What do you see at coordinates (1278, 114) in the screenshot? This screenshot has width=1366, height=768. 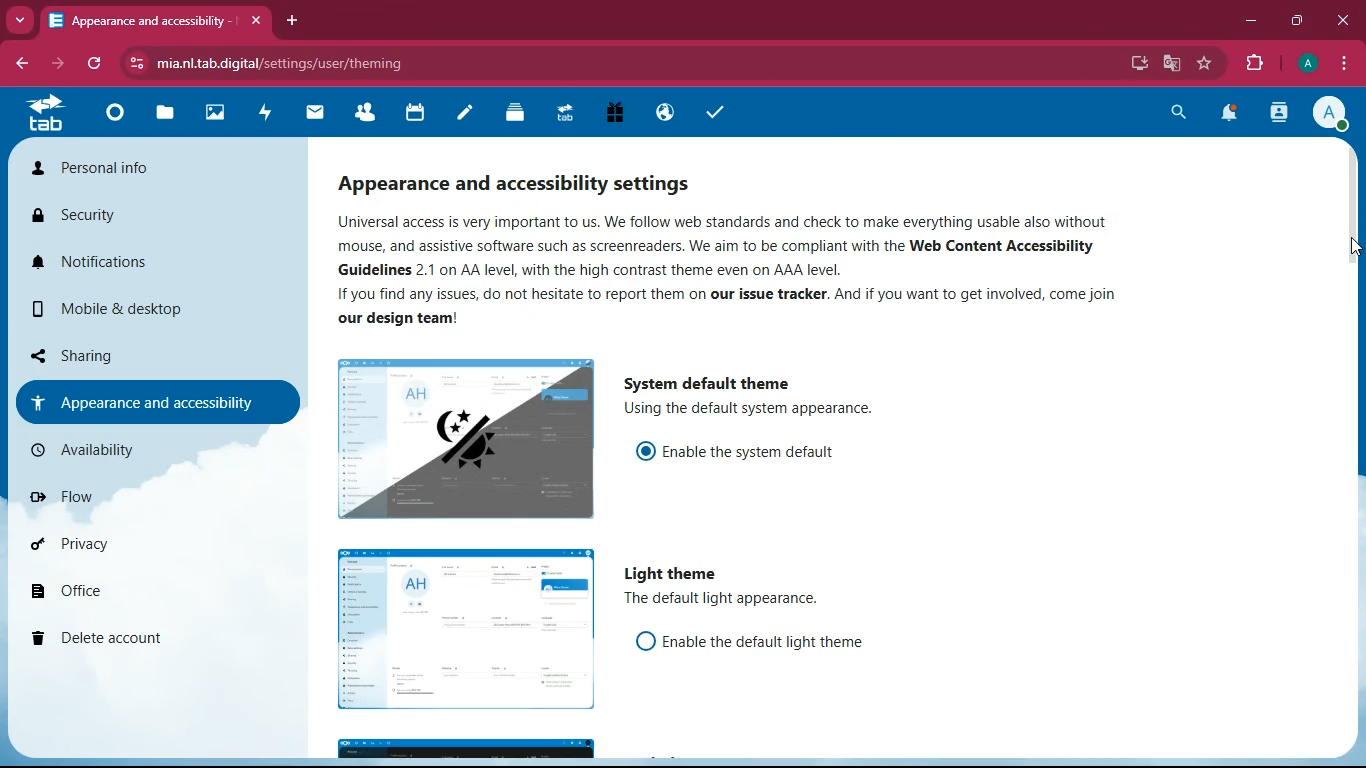 I see `activity` at bounding box center [1278, 114].